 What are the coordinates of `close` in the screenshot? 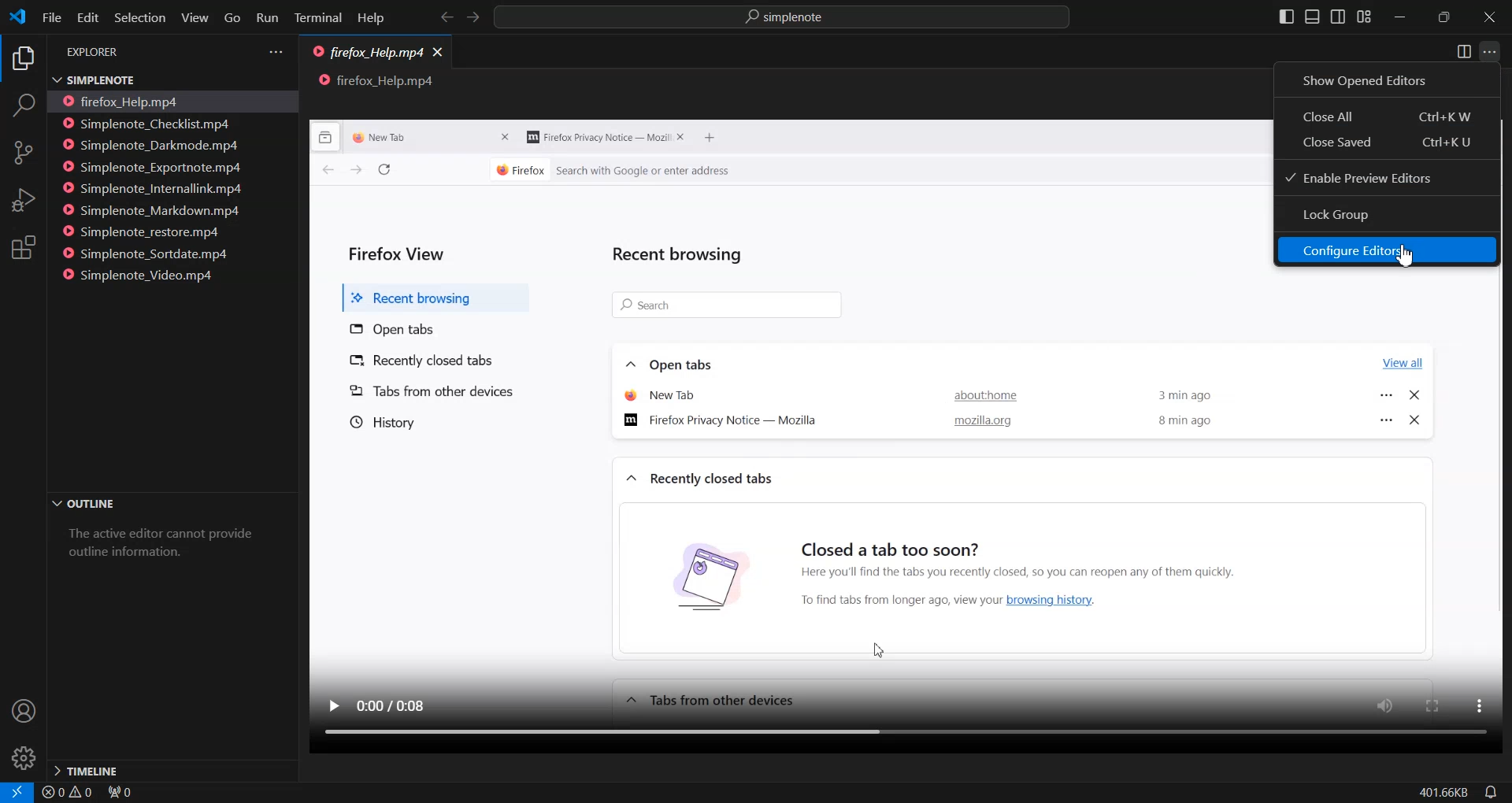 It's located at (506, 138).